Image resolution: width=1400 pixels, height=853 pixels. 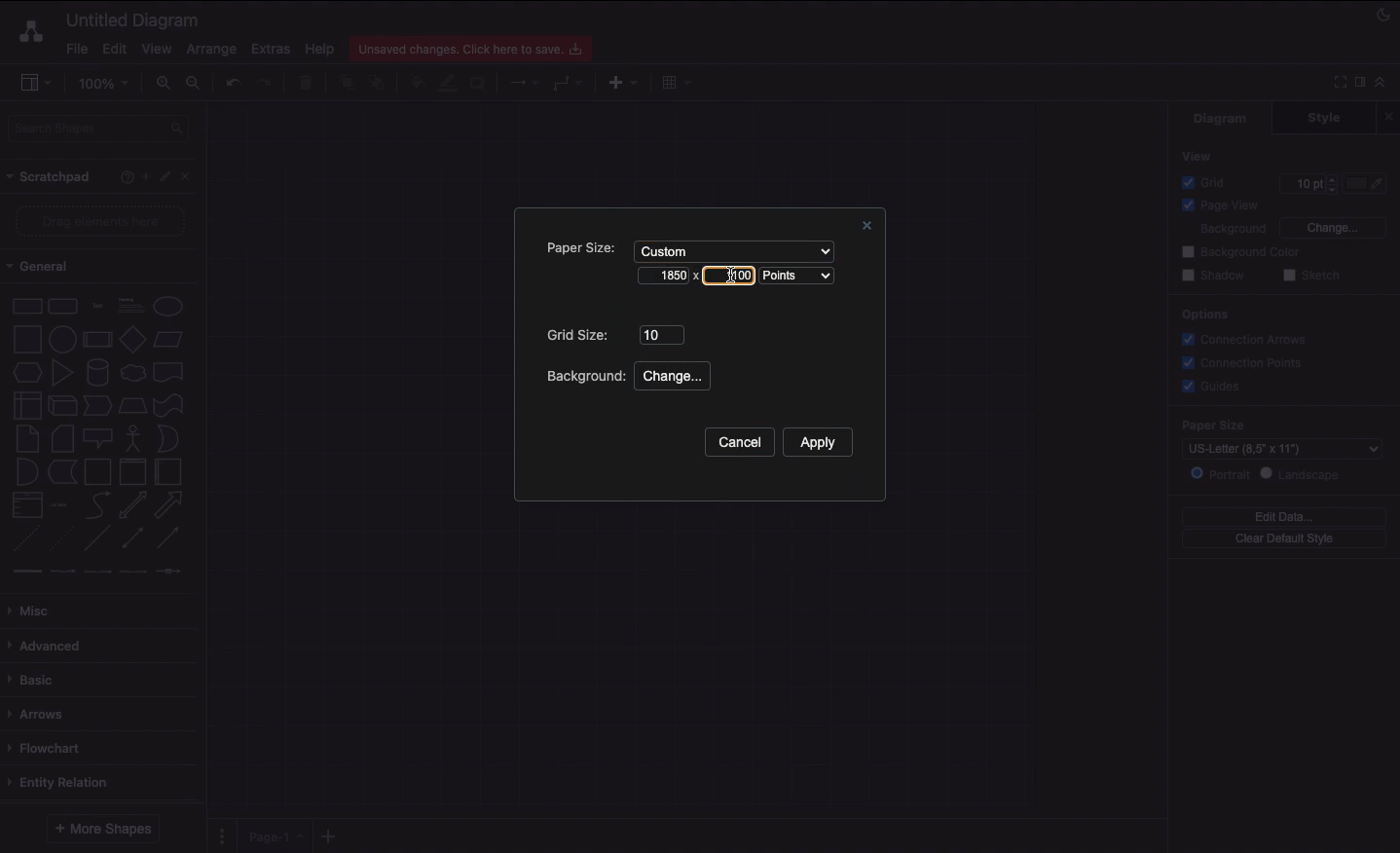 I want to click on Apply, so click(x=817, y=442).